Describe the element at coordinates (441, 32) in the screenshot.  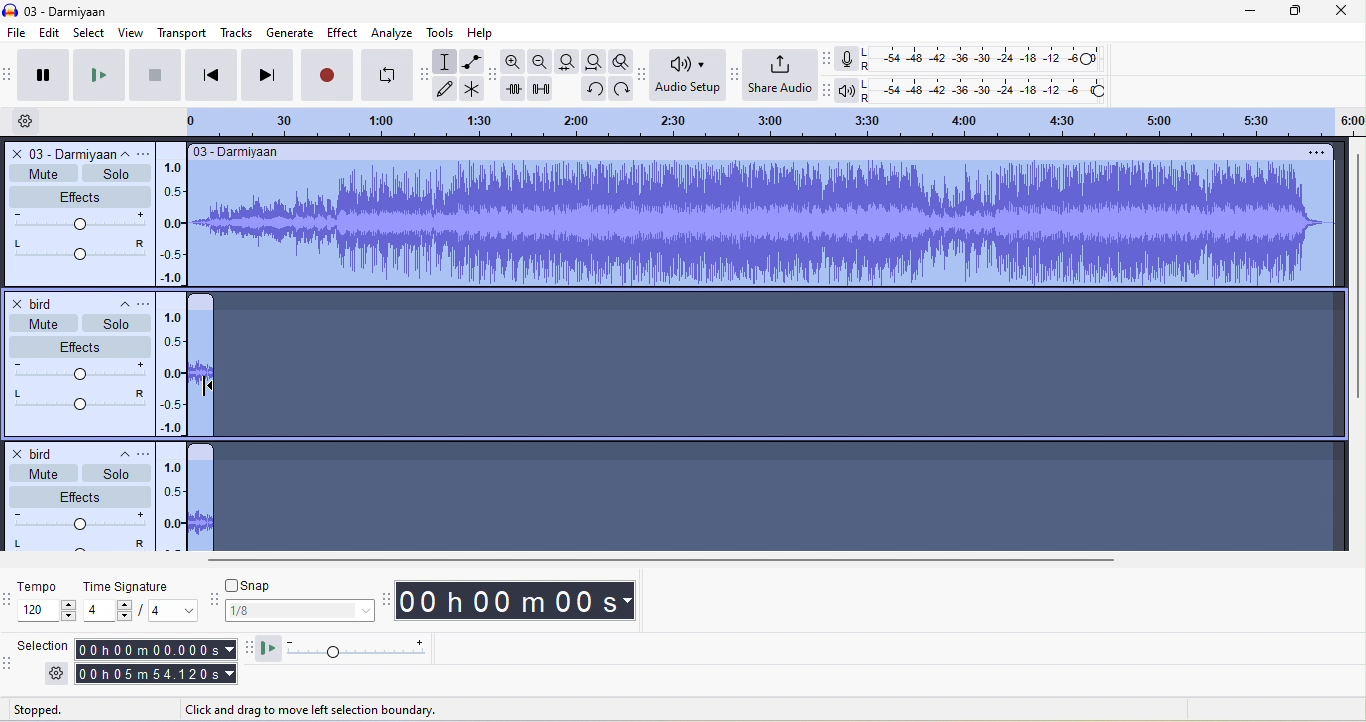
I see `tools` at that location.